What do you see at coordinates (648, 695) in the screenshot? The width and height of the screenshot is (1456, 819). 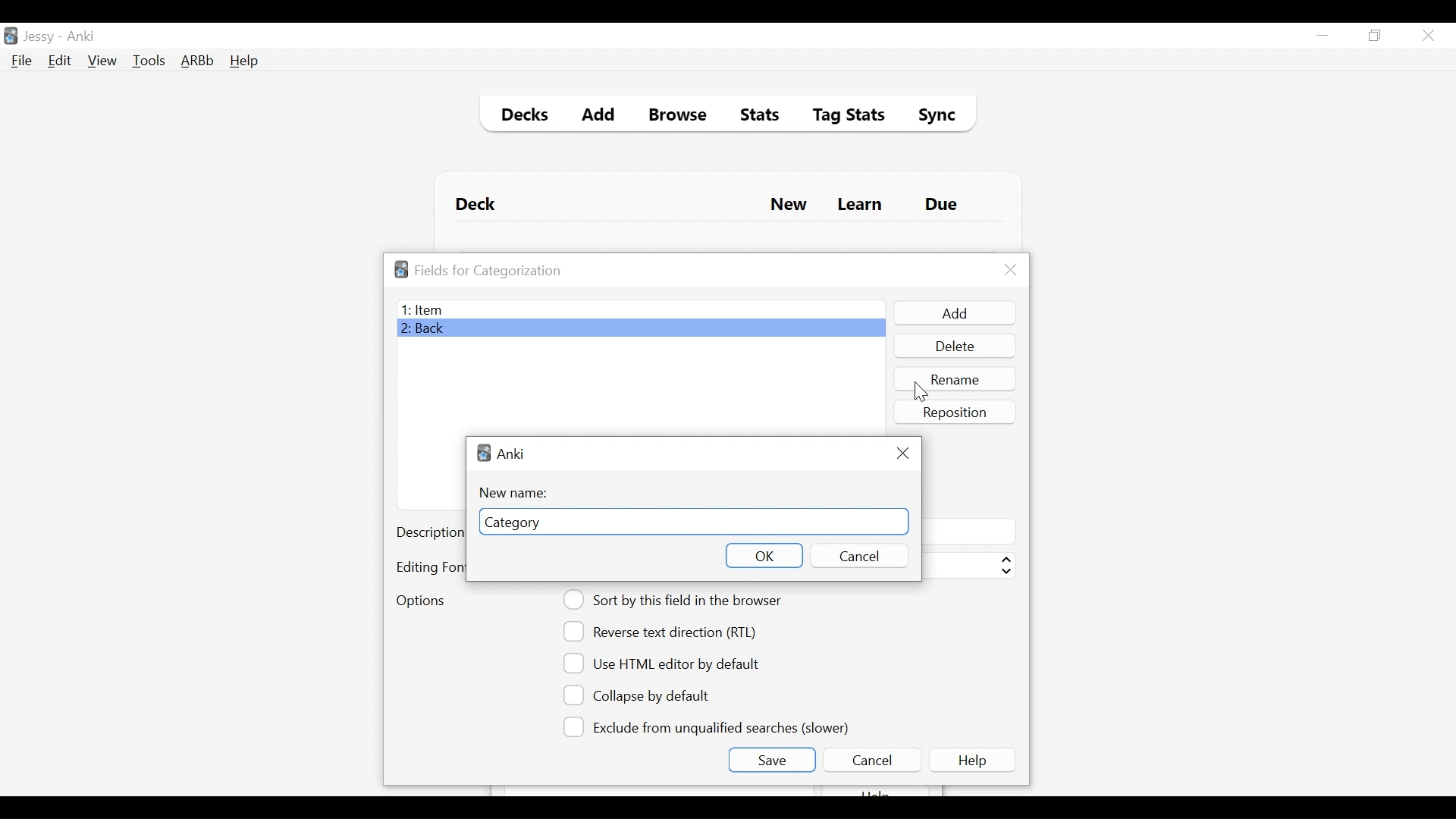 I see `(un)select Collapse by default` at bounding box center [648, 695].